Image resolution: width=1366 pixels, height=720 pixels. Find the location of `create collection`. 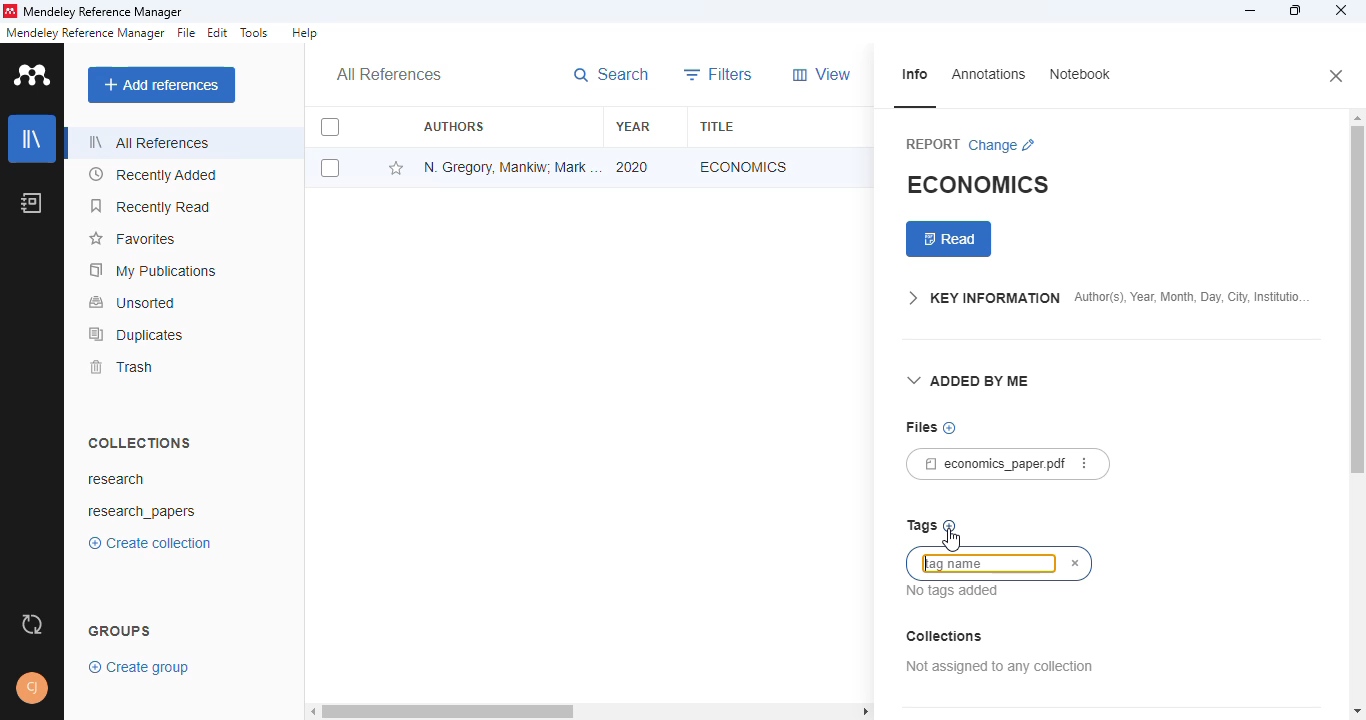

create collection is located at coordinates (149, 543).